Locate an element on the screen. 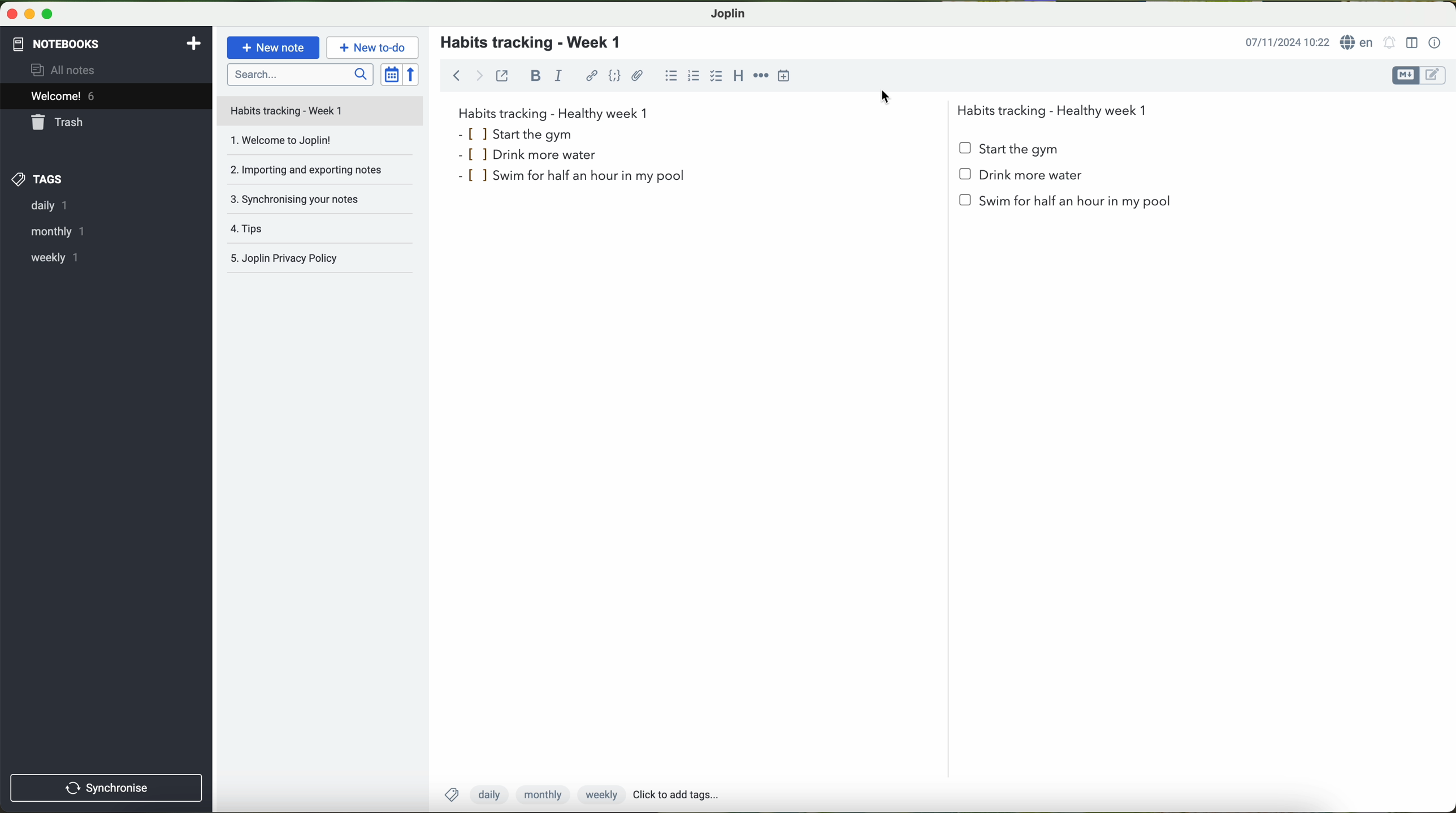 The height and width of the screenshot is (813, 1456). date and hour is located at coordinates (1287, 41).